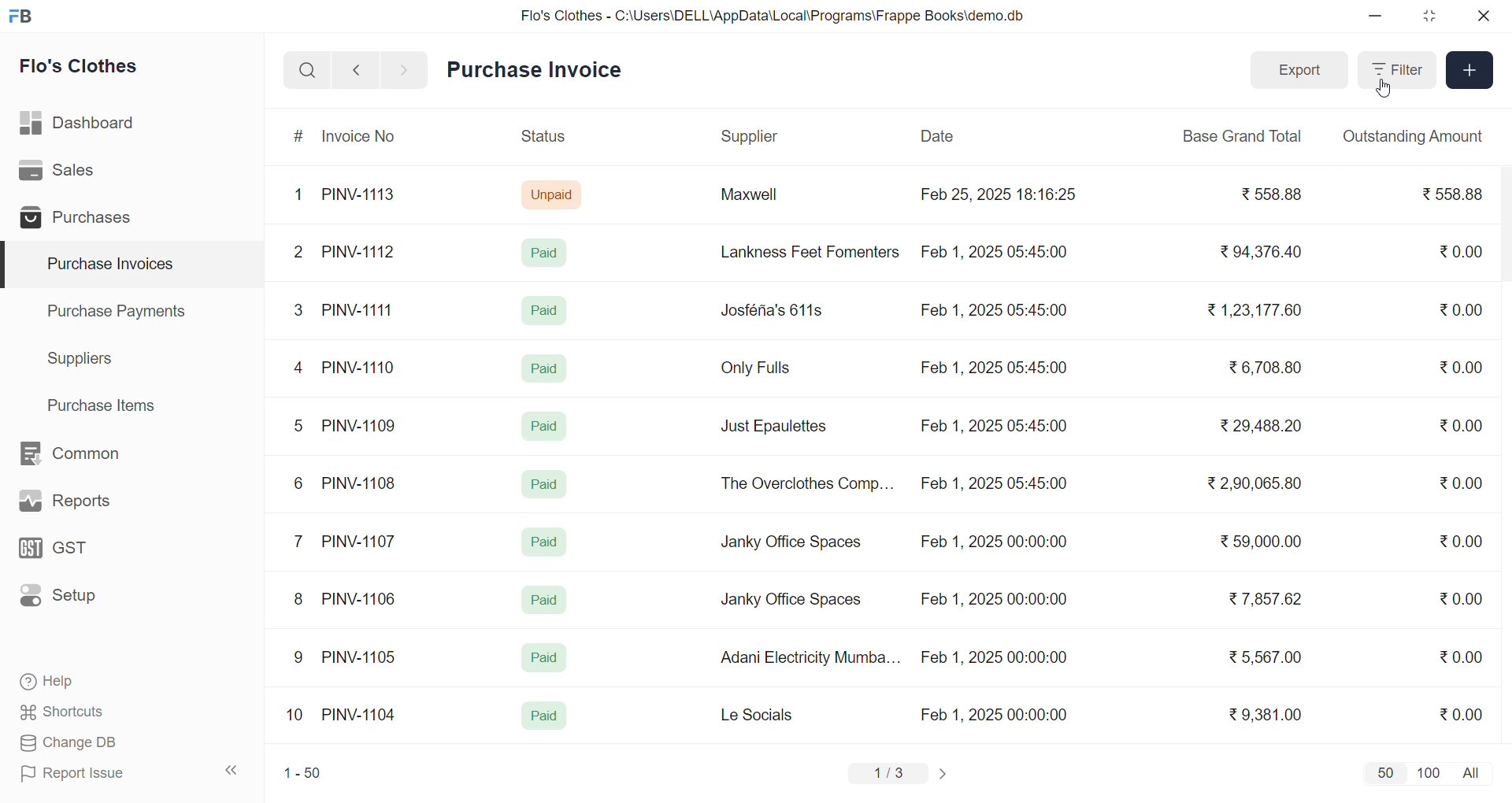  I want to click on resize, so click(1429, 16).